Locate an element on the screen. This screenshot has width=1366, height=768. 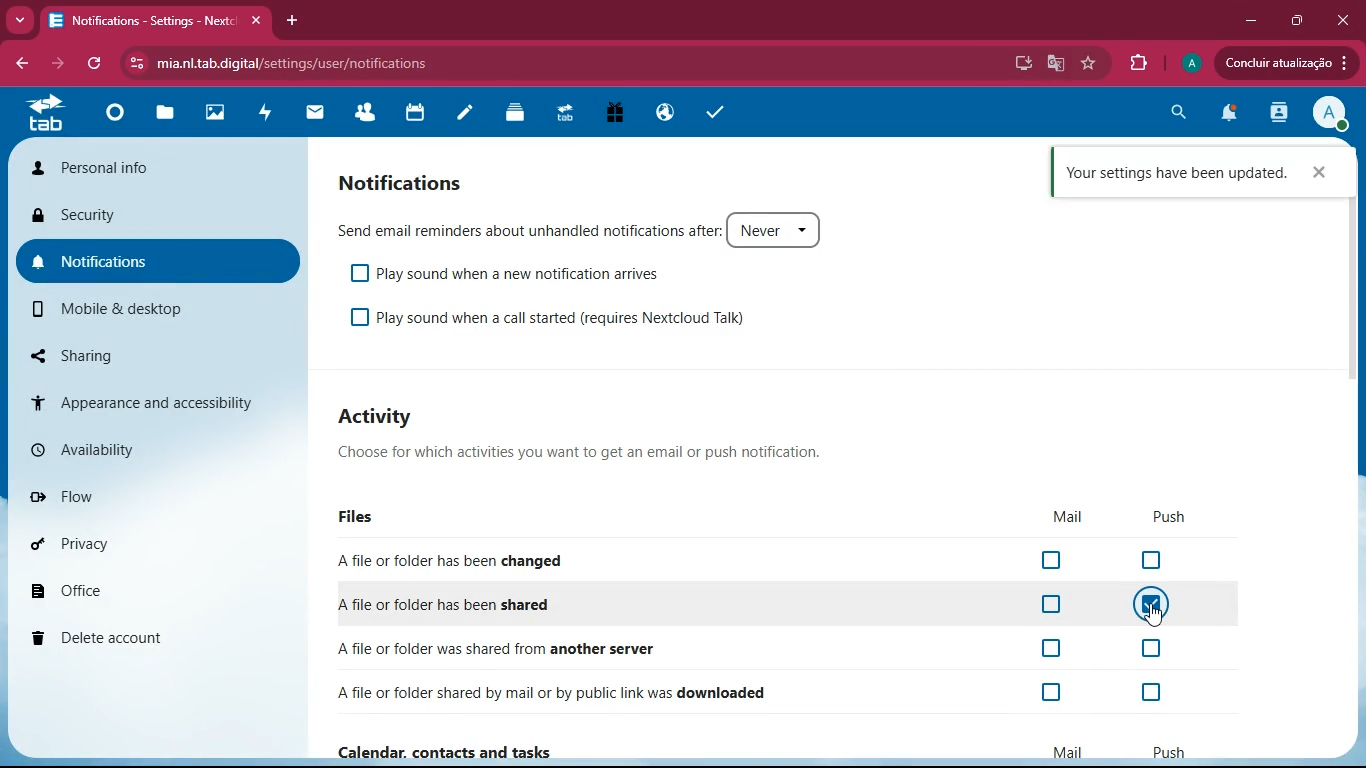
sharing is located at coordinates (120, 351).